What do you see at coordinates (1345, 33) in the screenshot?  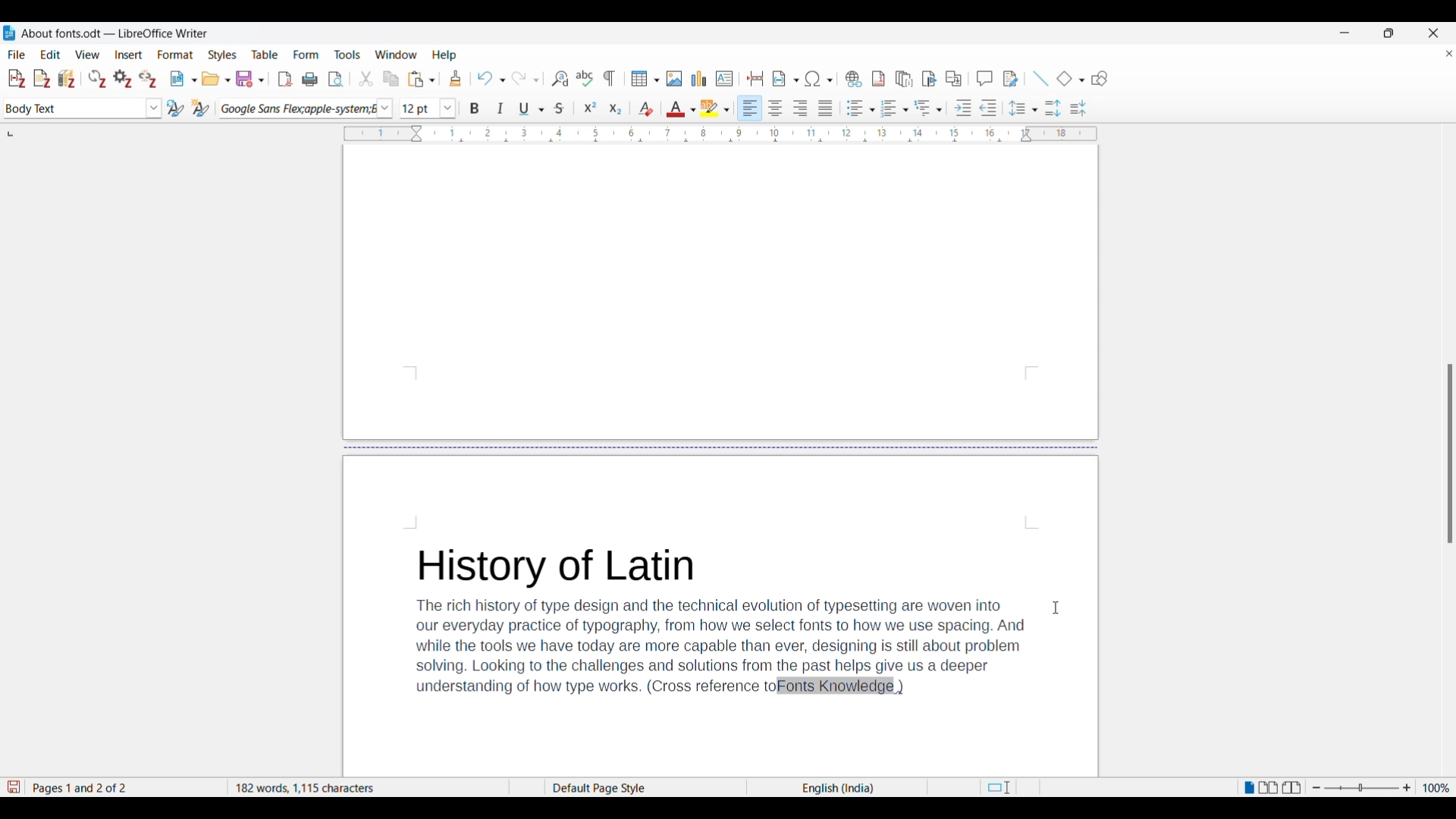 I see `Minimize` at bounding box center [1345, 33].